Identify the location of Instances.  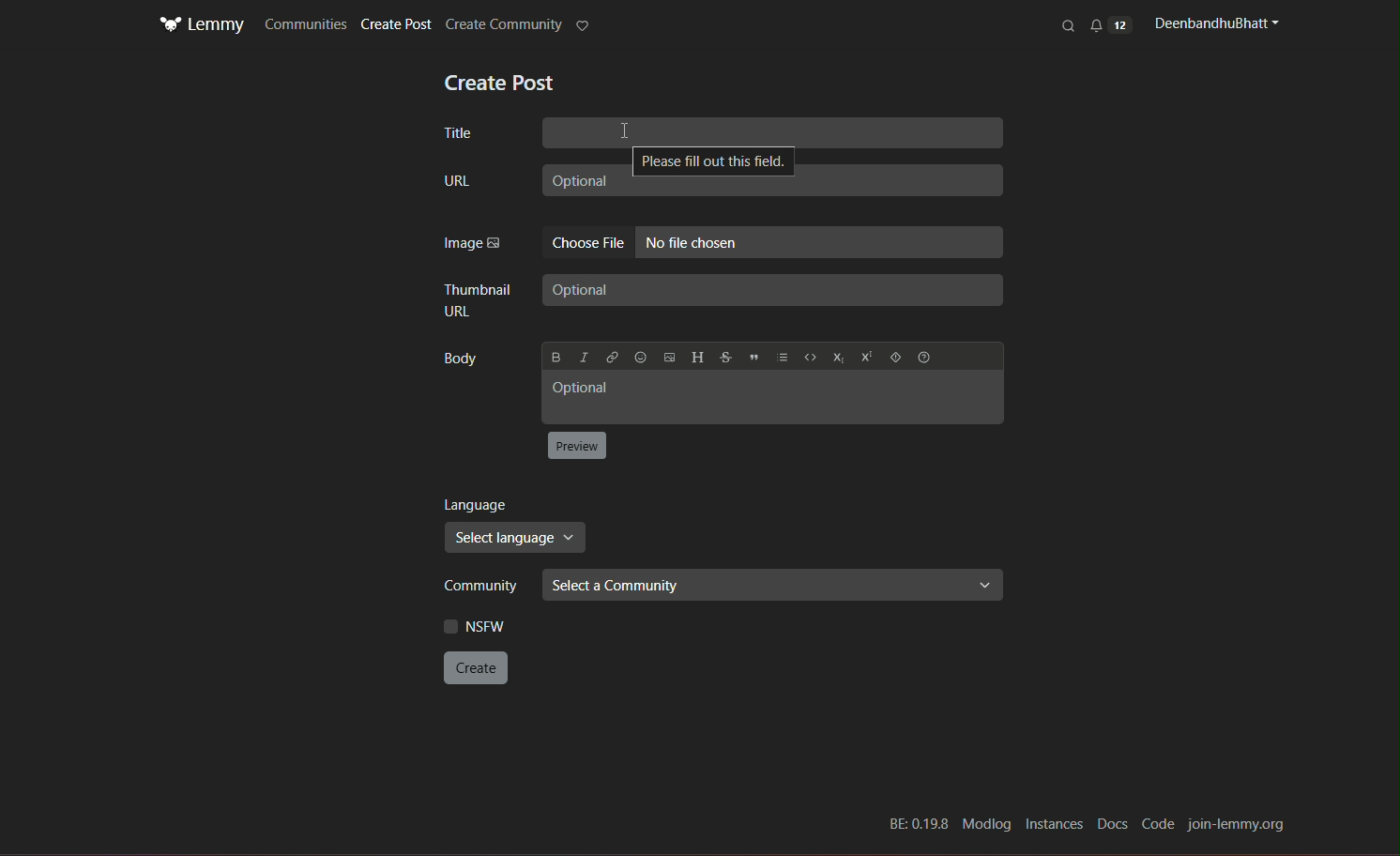
(1052, 825).